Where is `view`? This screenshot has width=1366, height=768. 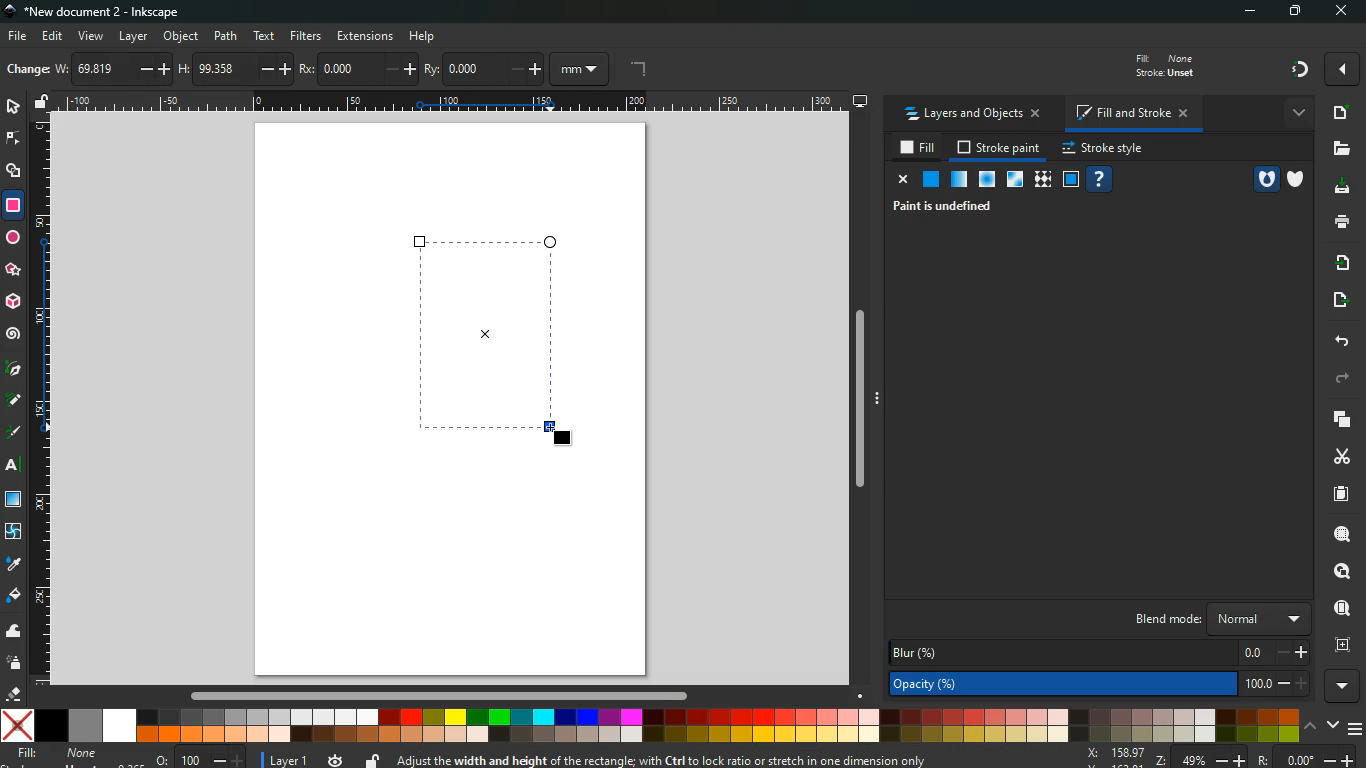 view is located at coordinates (90, 35).